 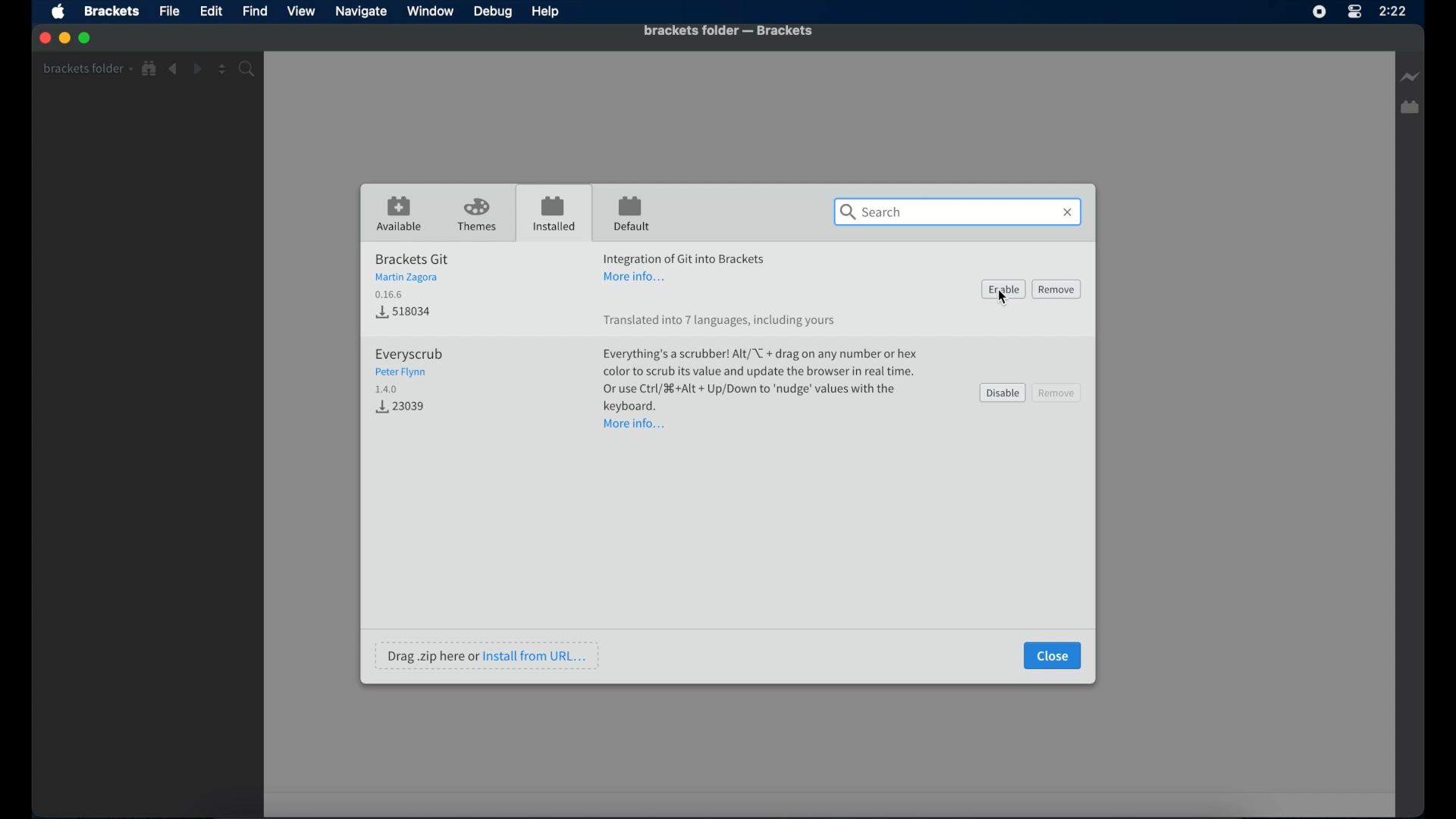 I want to click on More info..., so click(x=636, y=424).